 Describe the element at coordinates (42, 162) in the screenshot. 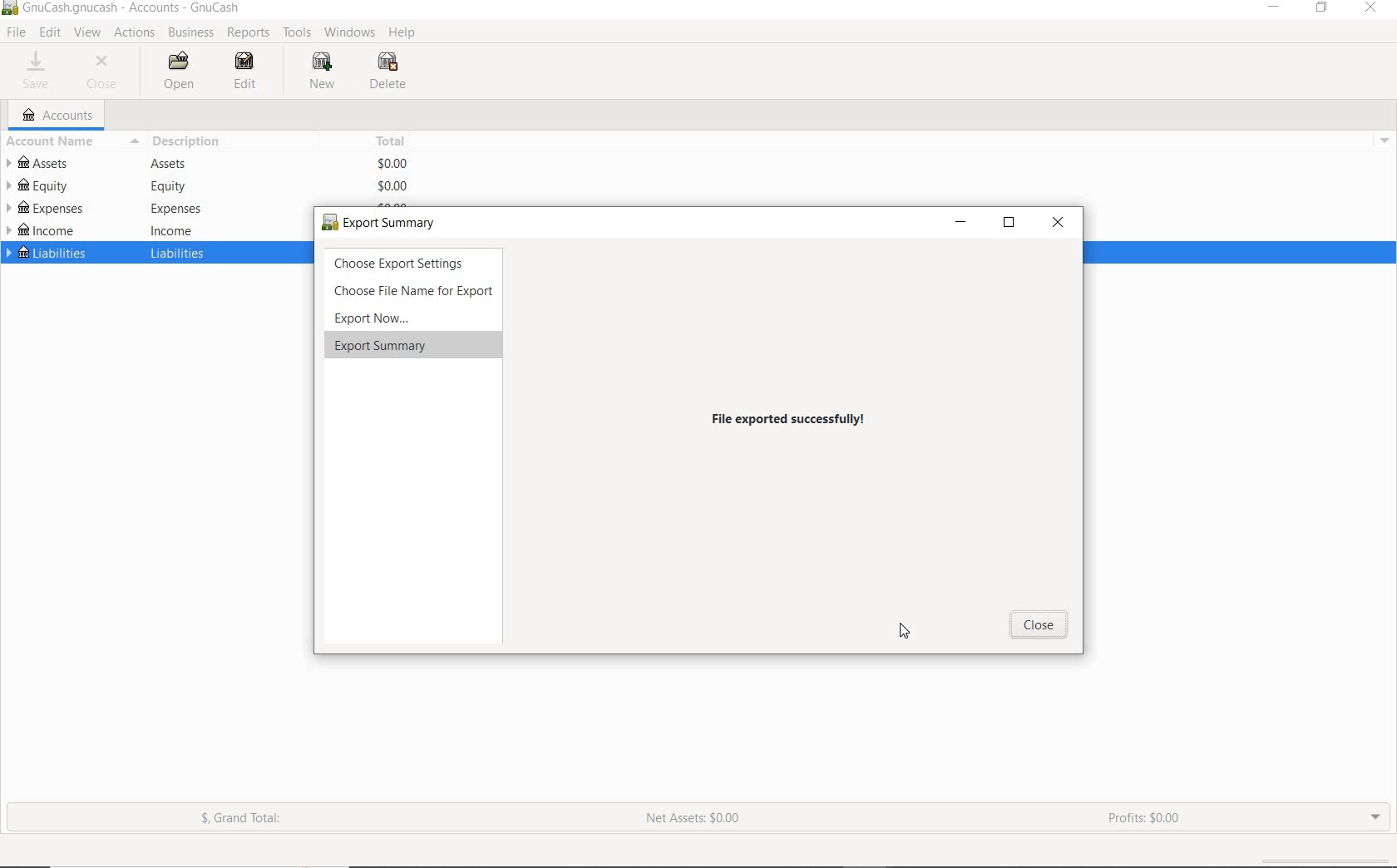

I see `ASSETS` at that location.